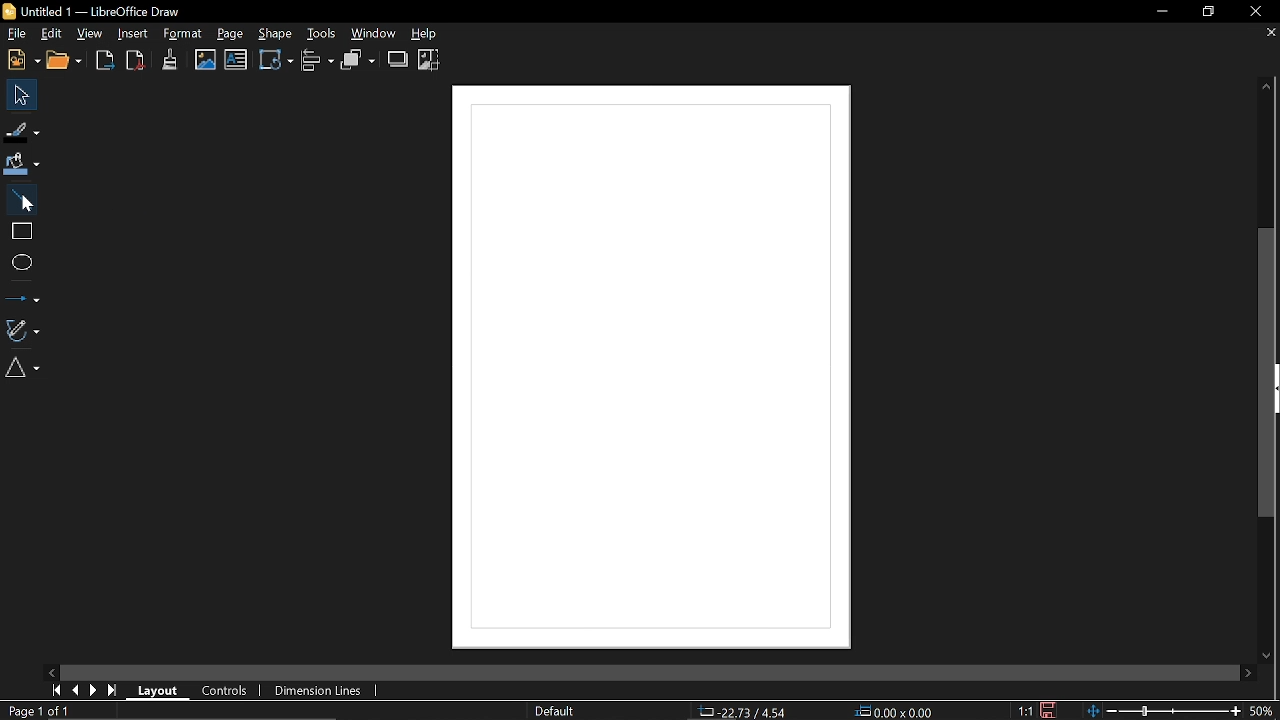 This screenshot has width=1280, height=720. Describe the element at coordinates (258, 712) in the screenshot. I see `Current diagram` at that location.